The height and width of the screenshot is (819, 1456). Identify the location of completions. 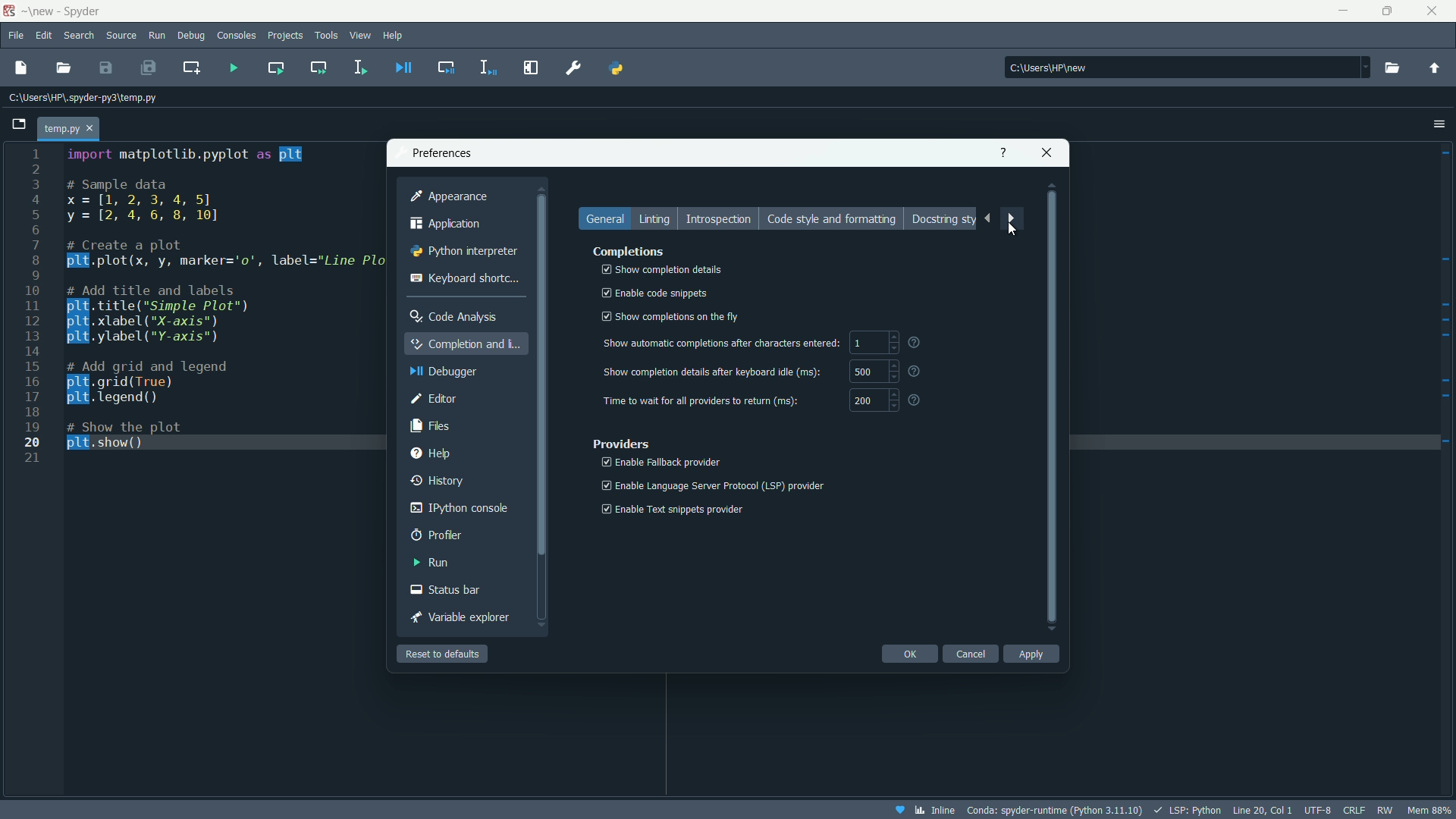
(630, 251).